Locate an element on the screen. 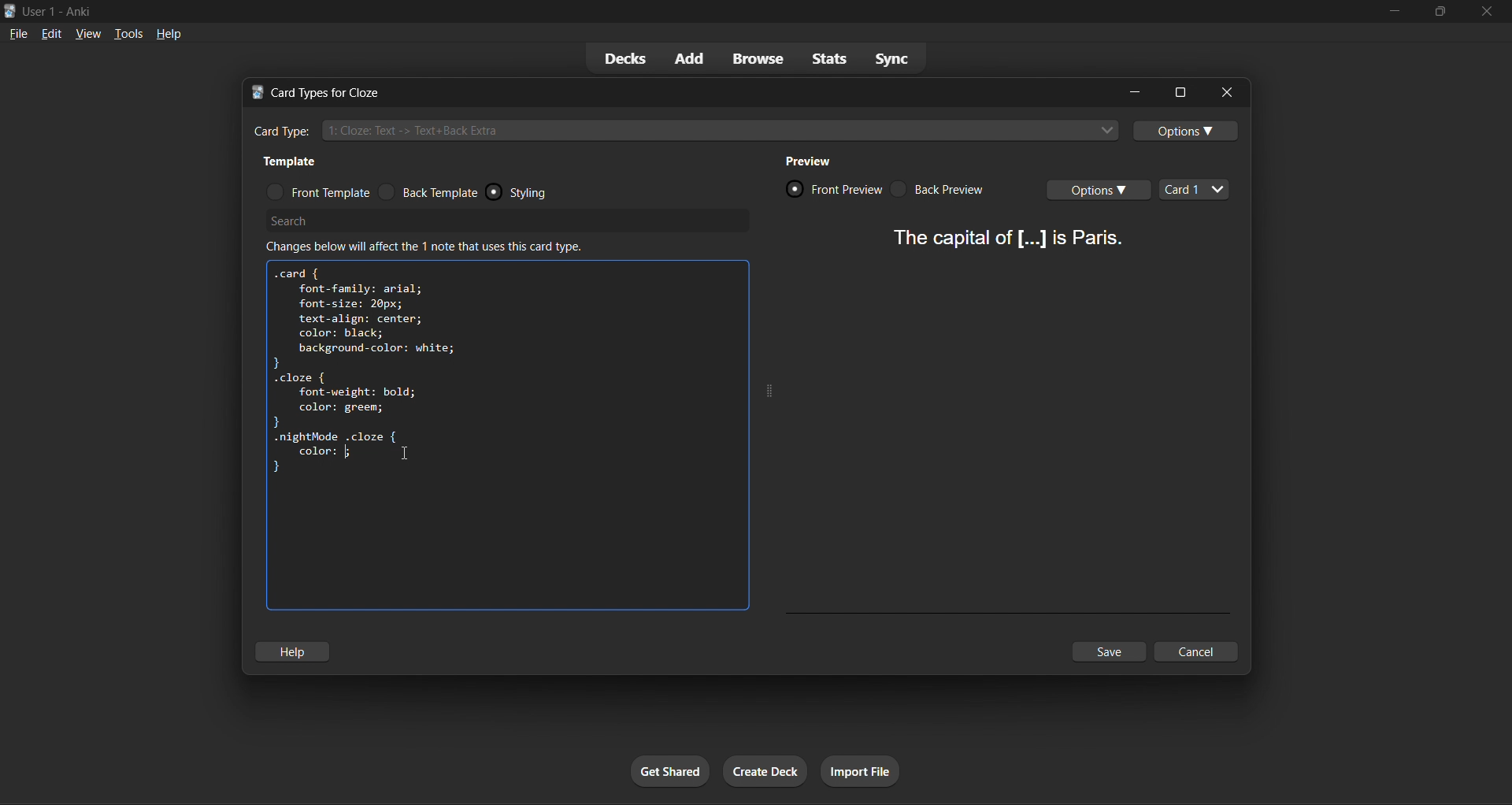 The width and height of the screenshot is (1512, 805). sync is located at coordinates (903, 57).